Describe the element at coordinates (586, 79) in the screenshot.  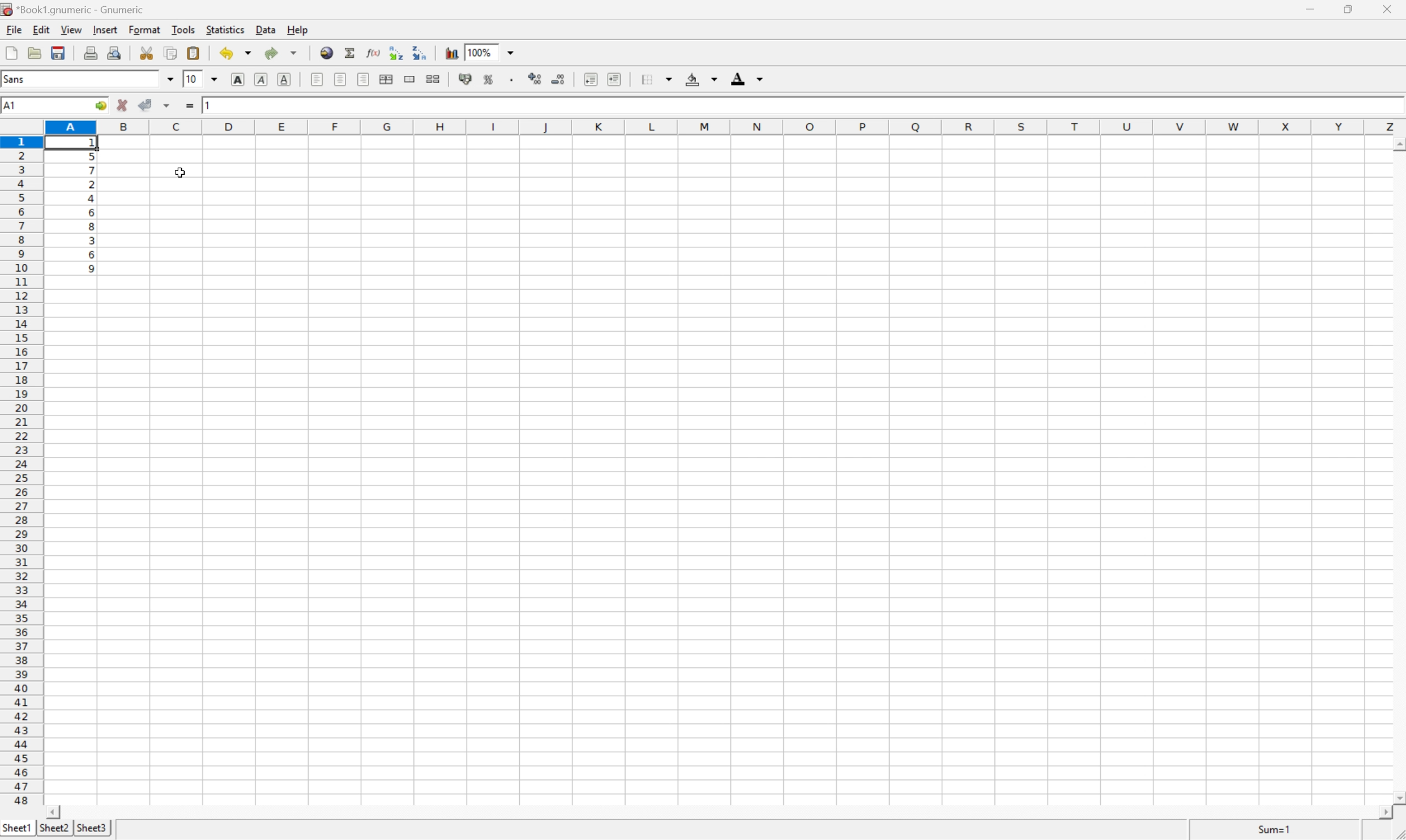
I see `decrease indent` at that location.